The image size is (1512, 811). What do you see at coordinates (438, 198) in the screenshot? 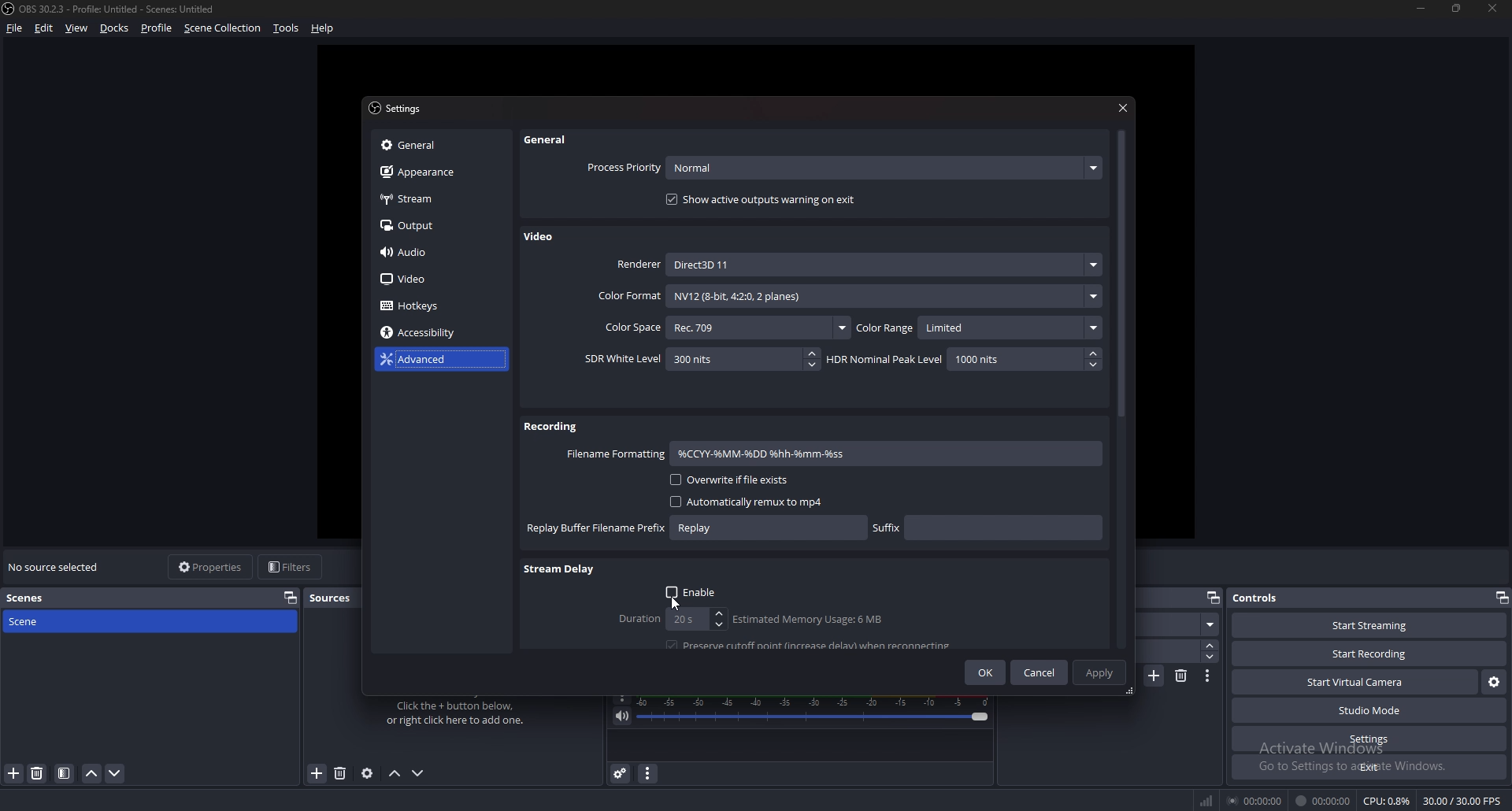
I see `Stream` at bounding box center [438, 198].